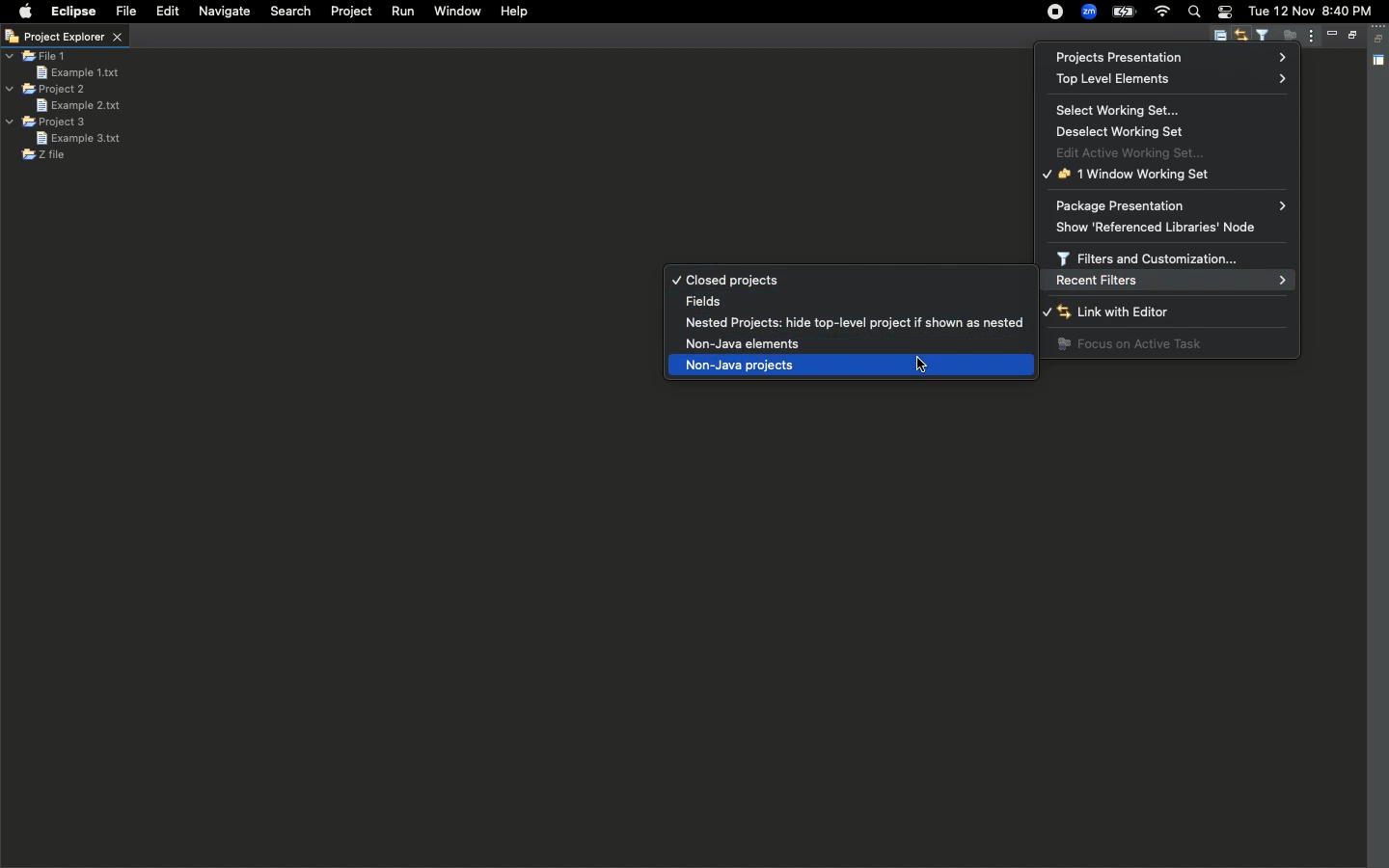 This screenshot has width=1389, height=868. I want to click on Z file, so click(43, 155).